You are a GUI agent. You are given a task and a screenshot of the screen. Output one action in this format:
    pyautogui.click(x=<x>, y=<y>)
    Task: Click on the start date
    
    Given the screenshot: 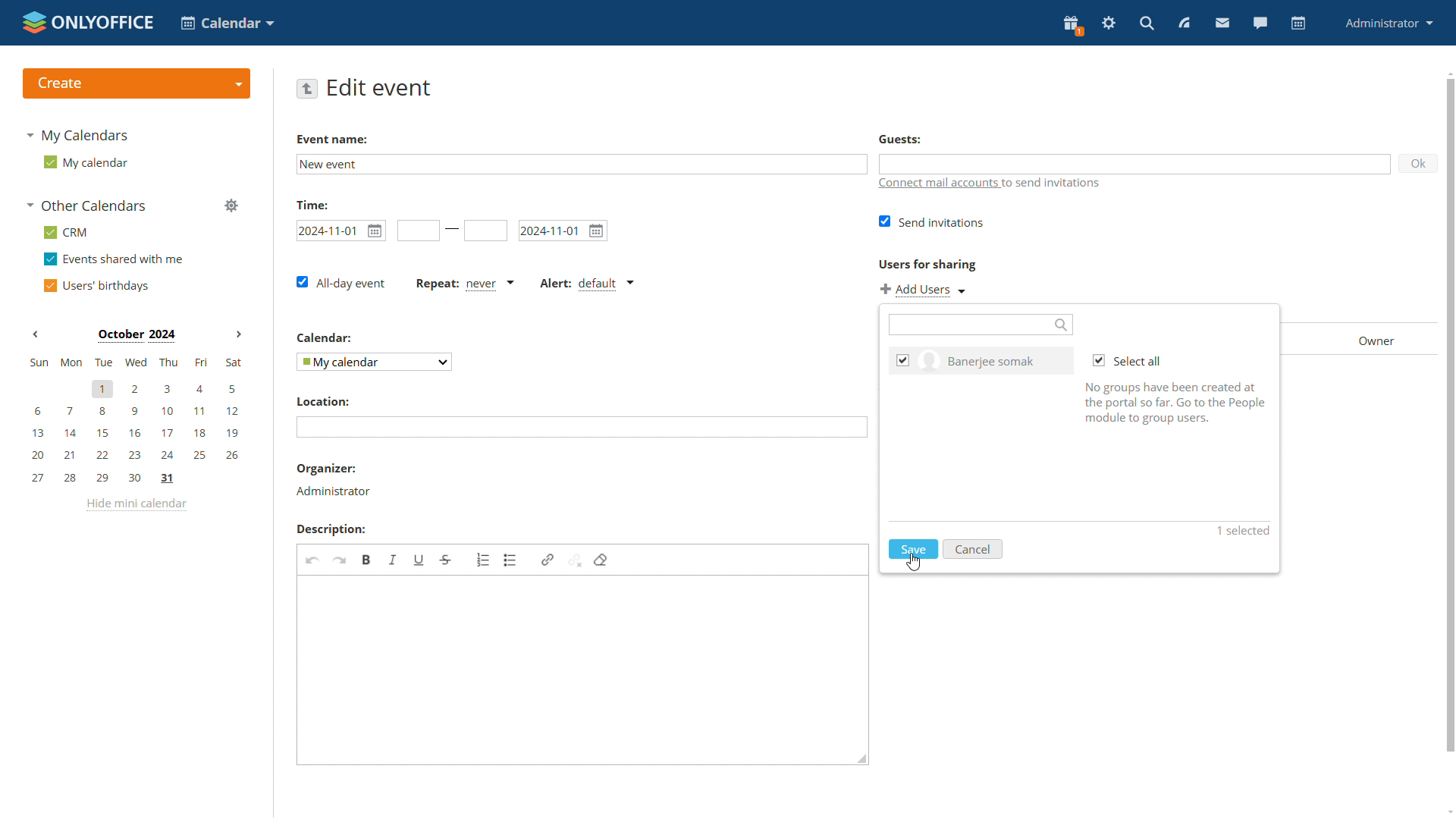 What is the action you would take?
    pyautogui.click(x=339, y=231)
    